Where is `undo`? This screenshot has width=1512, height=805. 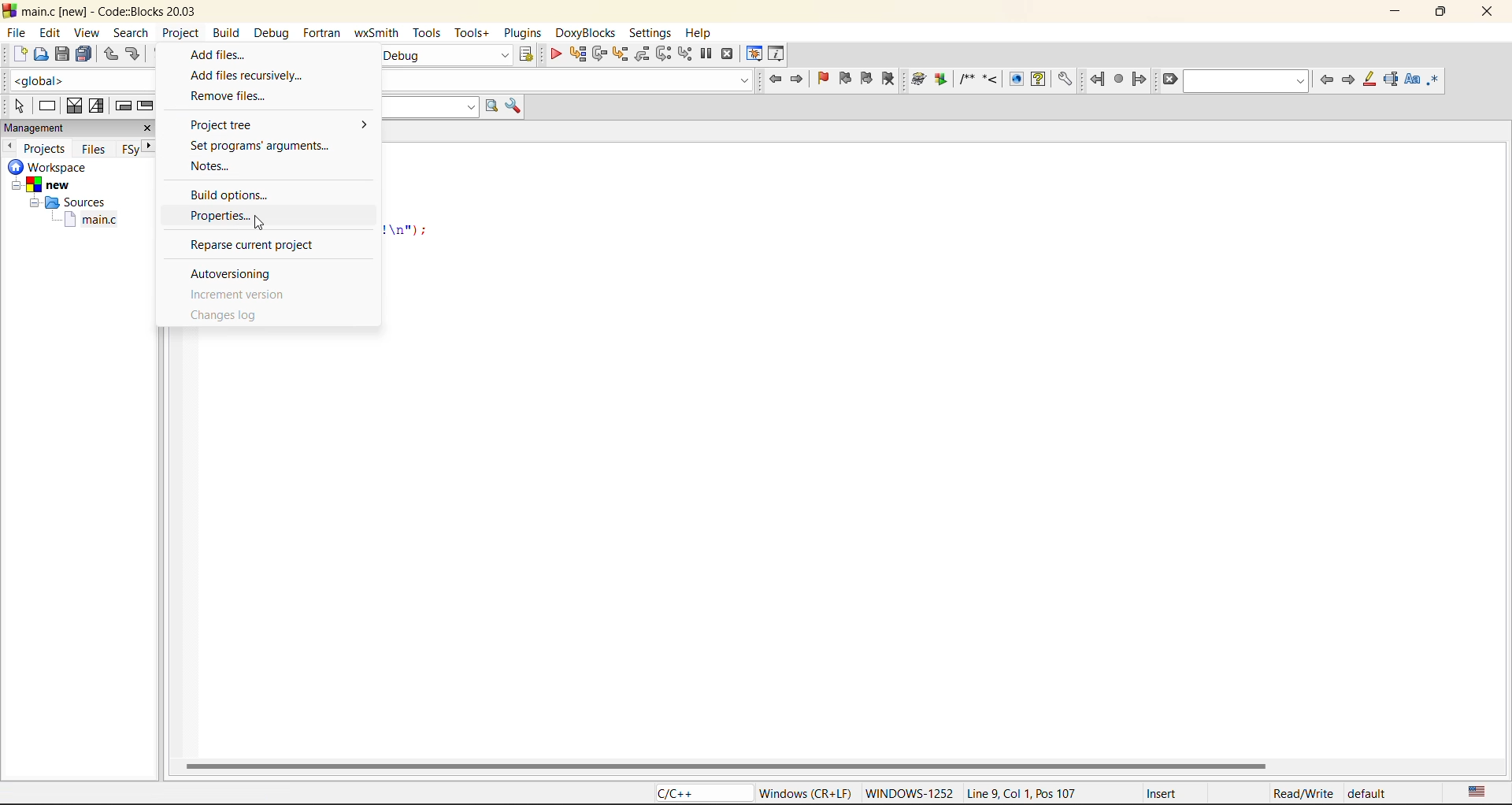 undo is located at coordinates (109, 54).